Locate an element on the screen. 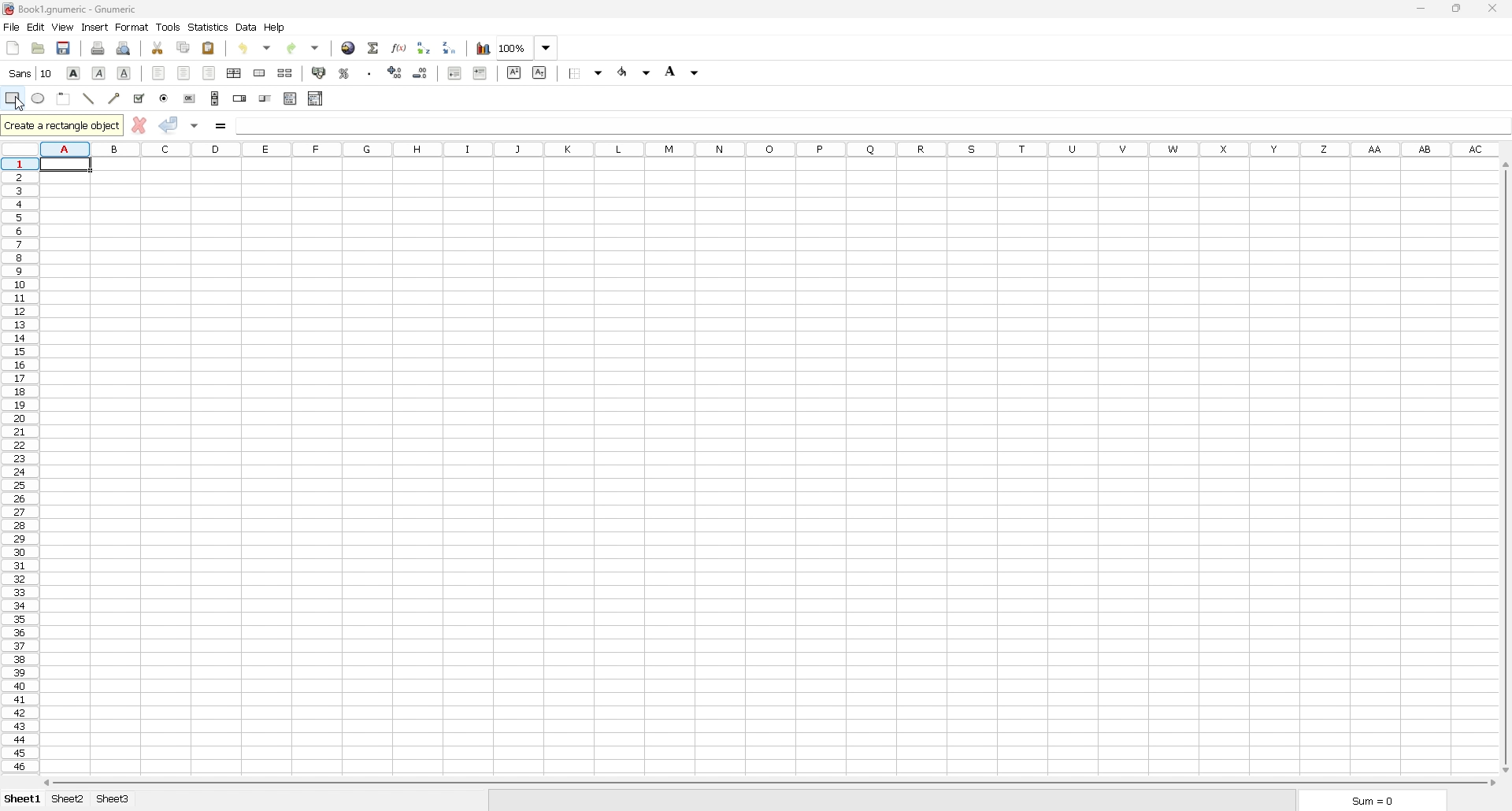 This screenshot has height=811, width=1512. chart is located at coordinates (482, 49).